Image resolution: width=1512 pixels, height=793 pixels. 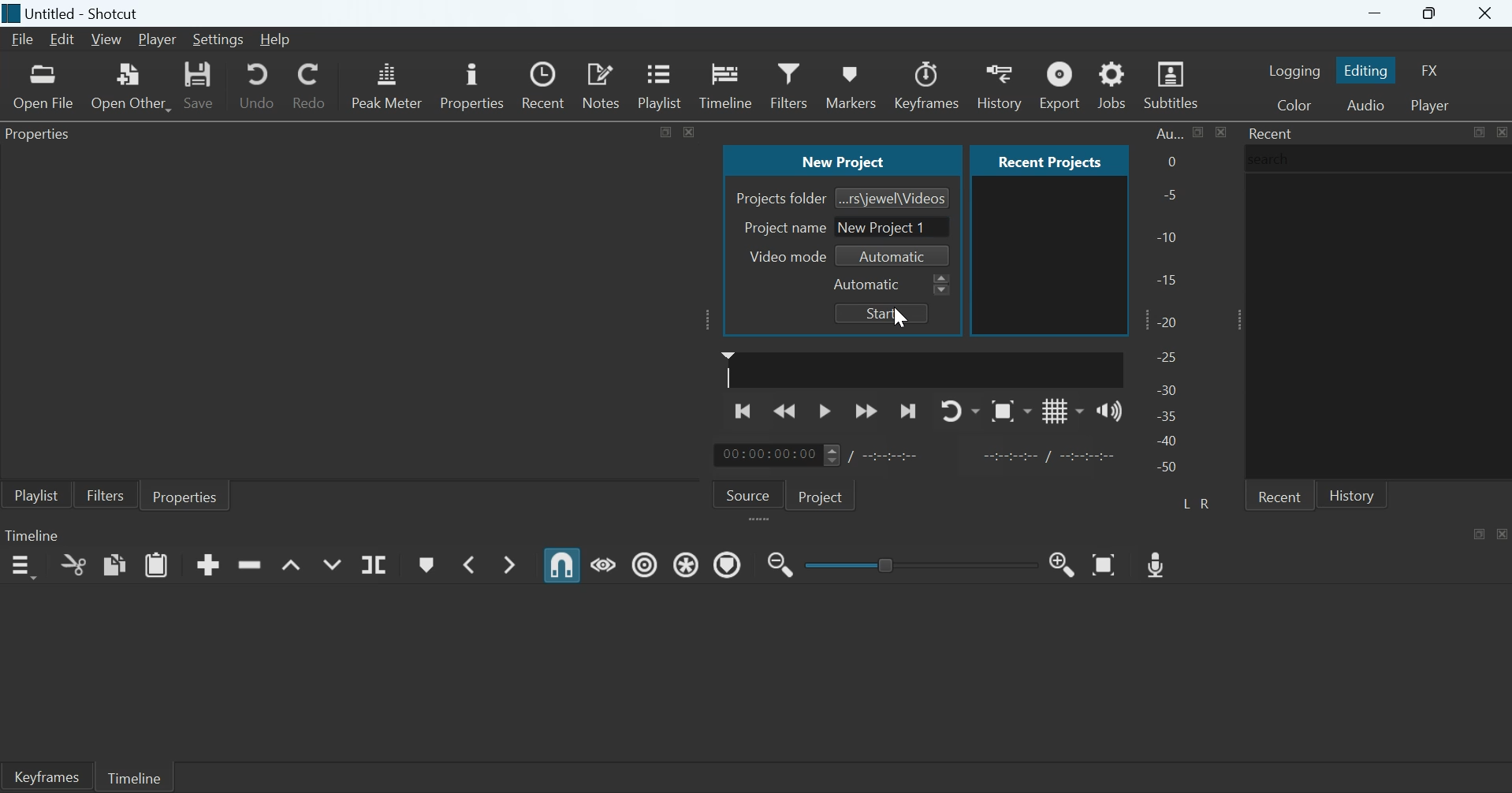 What do you see at coordinates (893, 197) in the screenshot?
I see `C:\Users\jewel\Videos` at bounding box center [893, 197].